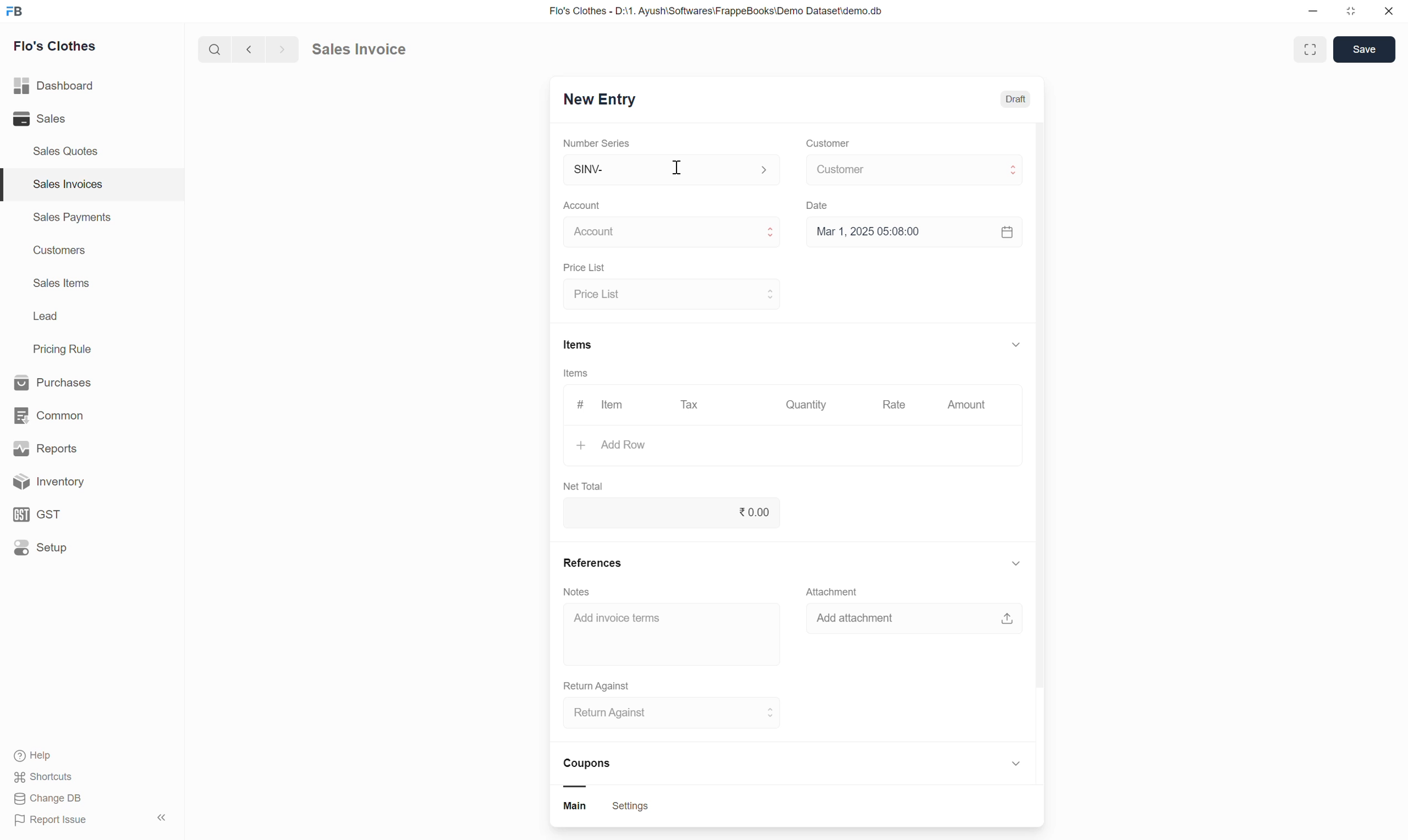  I want to click on Price List, so click(582, 268).